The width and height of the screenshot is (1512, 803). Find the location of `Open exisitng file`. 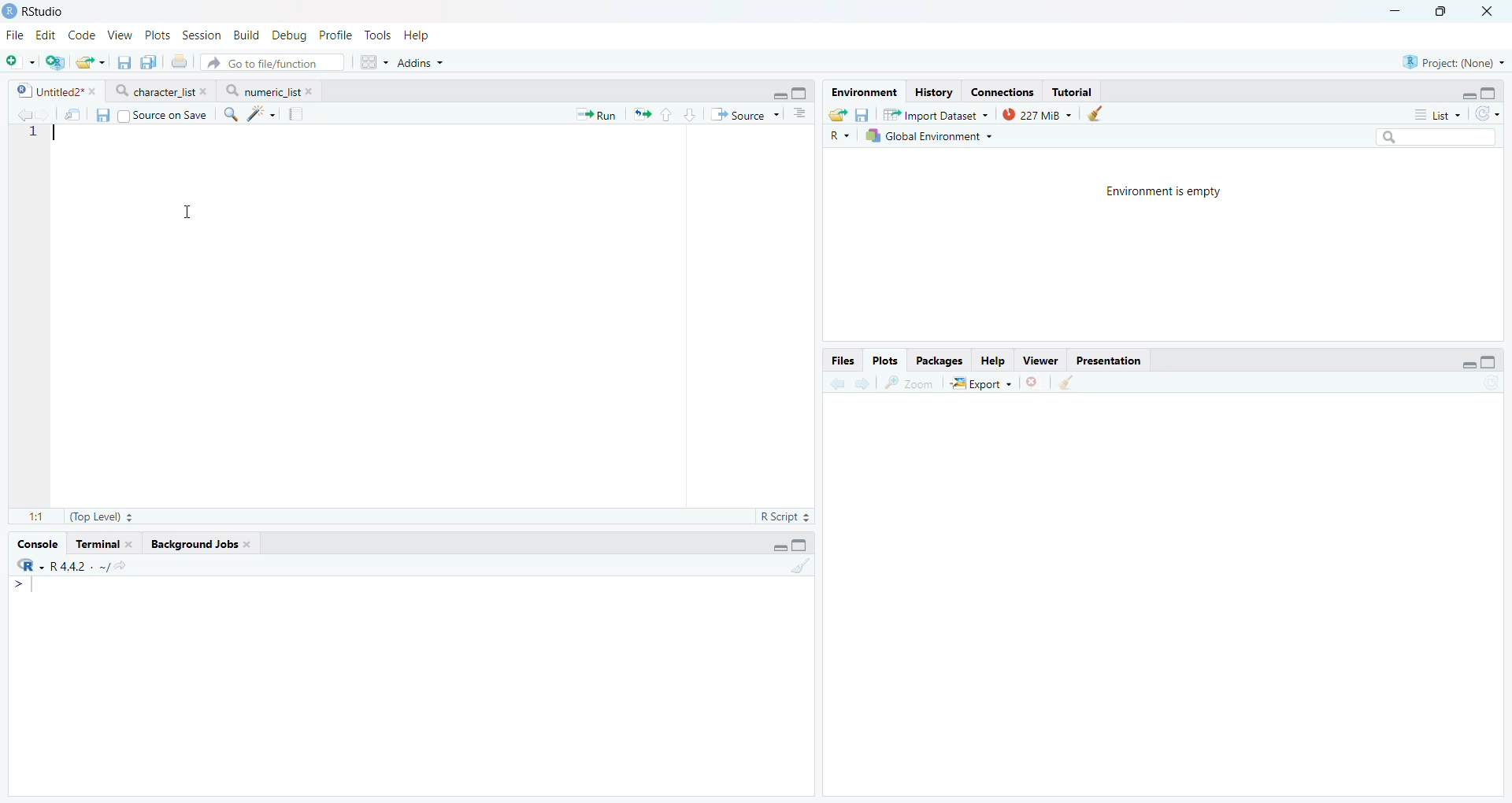

Open exisitng file is located at coordinates (90, 62).